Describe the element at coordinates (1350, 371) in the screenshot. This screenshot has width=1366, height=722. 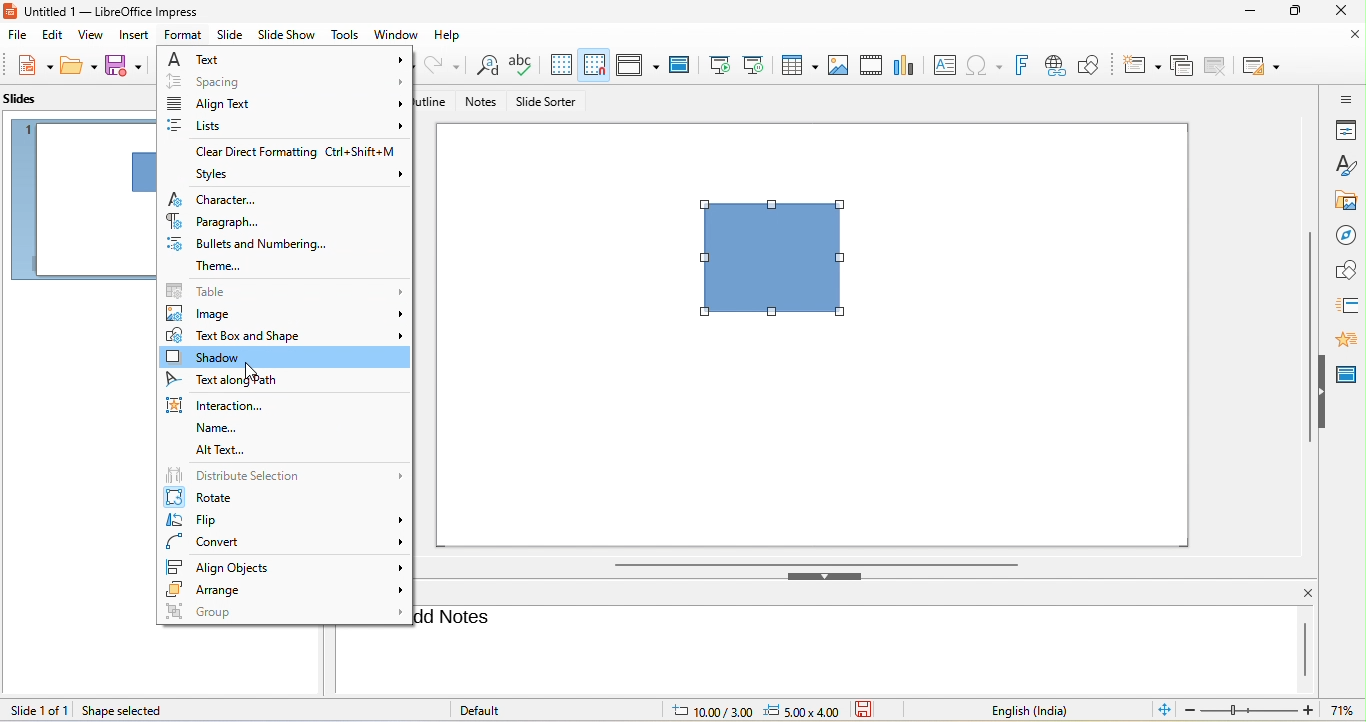
I see `master slide` at that location.